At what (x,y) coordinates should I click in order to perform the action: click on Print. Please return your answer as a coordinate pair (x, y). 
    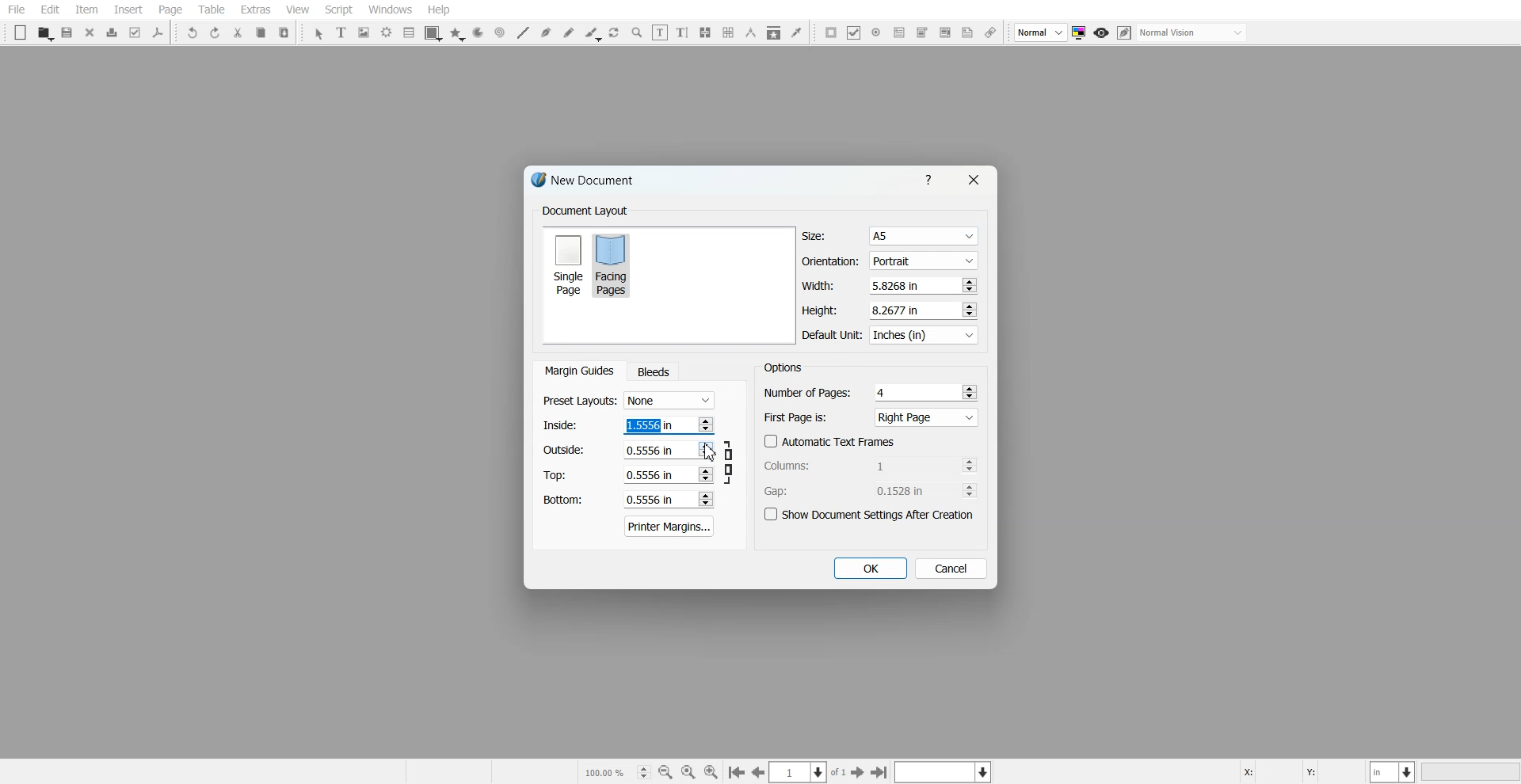
    Looking at the image, I should click on (112, 32).